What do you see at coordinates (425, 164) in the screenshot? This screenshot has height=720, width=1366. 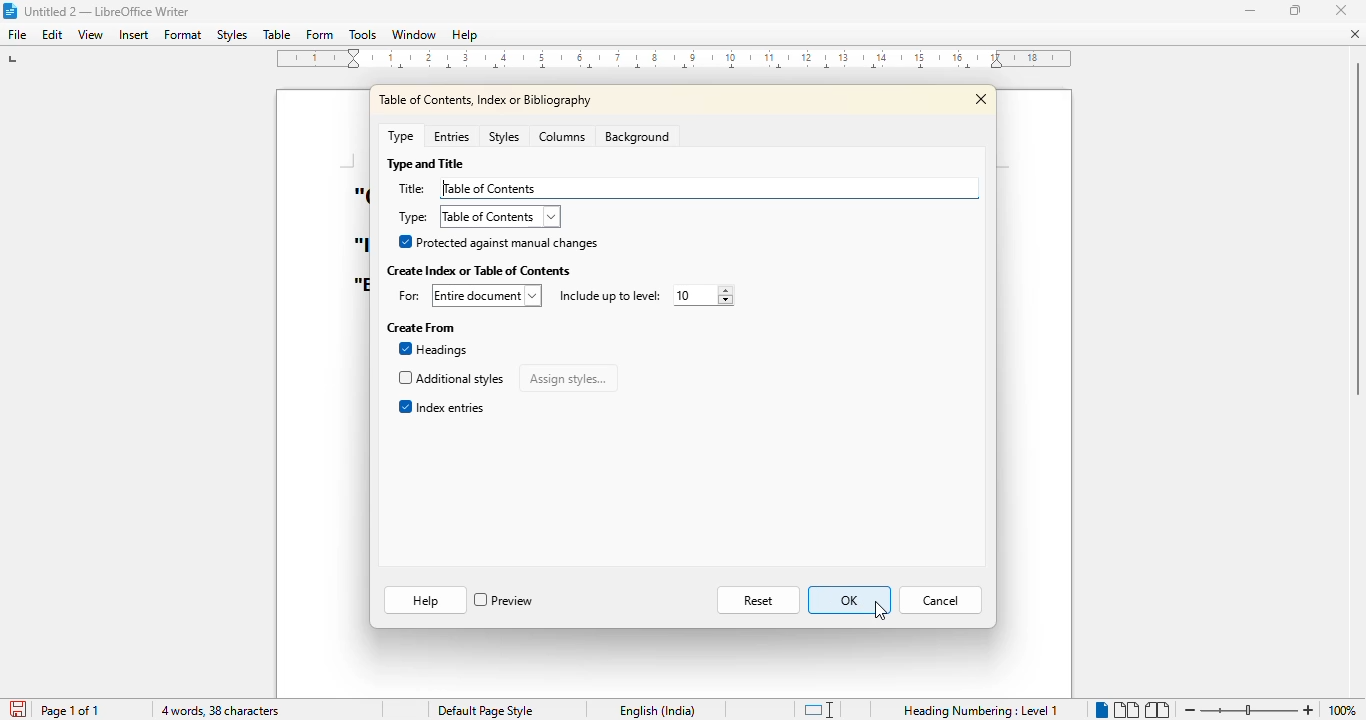 I see `type and title` at bounding box center [425, 164].